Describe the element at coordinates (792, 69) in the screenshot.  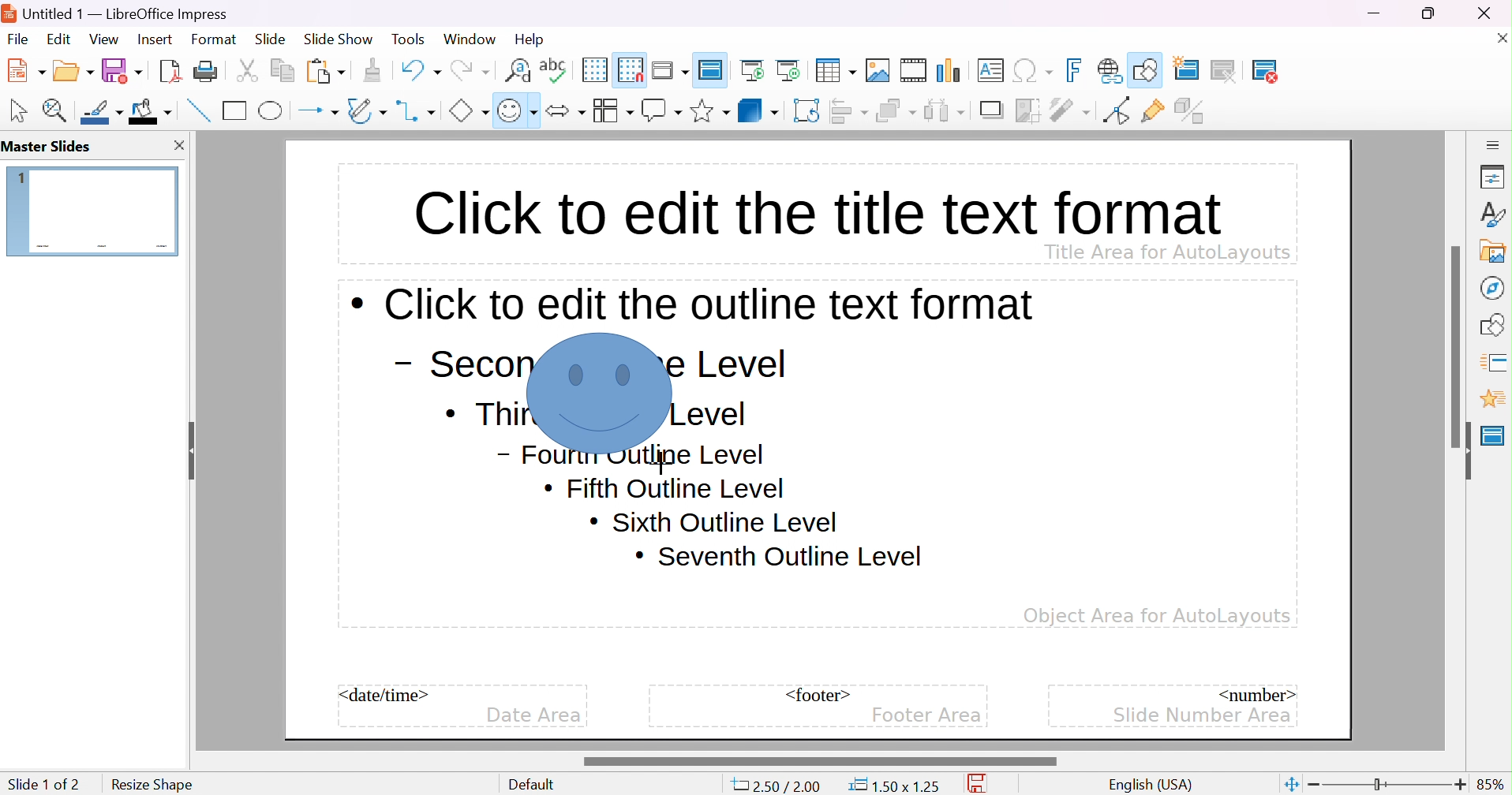
I see `start from current slide` at that location.